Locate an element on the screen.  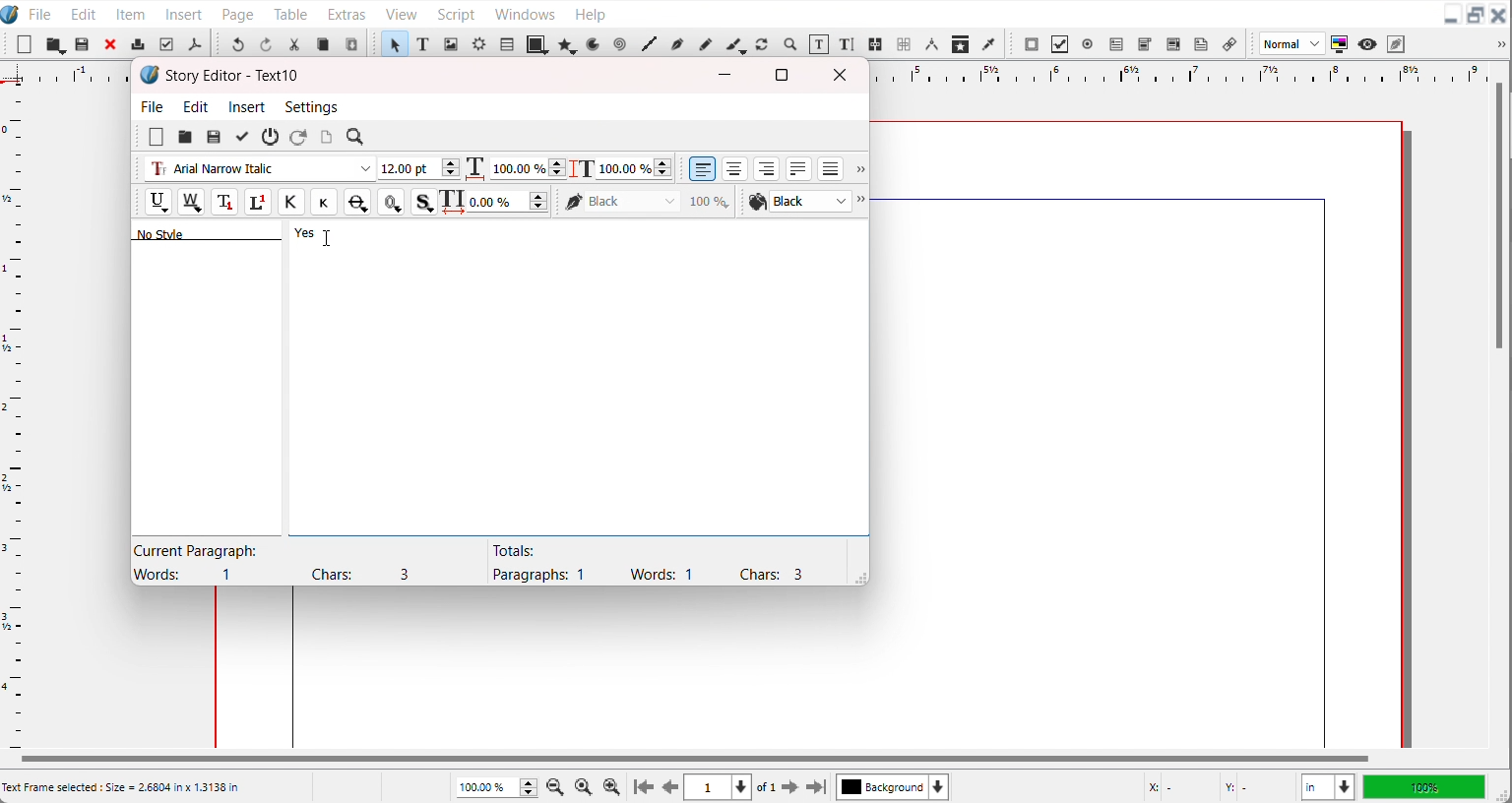
Go to first page is located at coordinates (644, 786).